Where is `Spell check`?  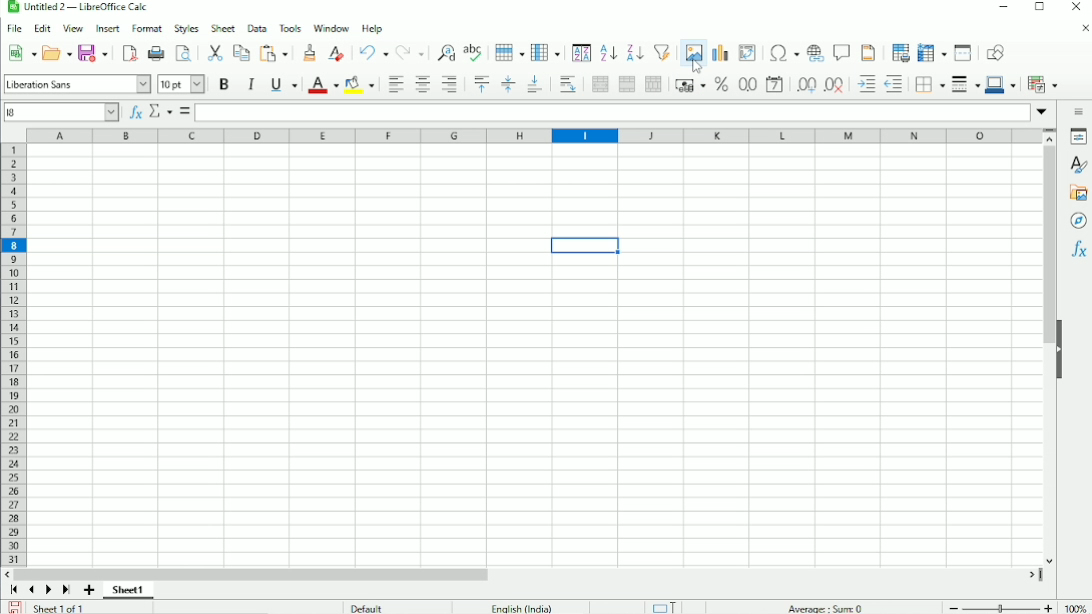 Spell check is located at coordinates (475, 52).